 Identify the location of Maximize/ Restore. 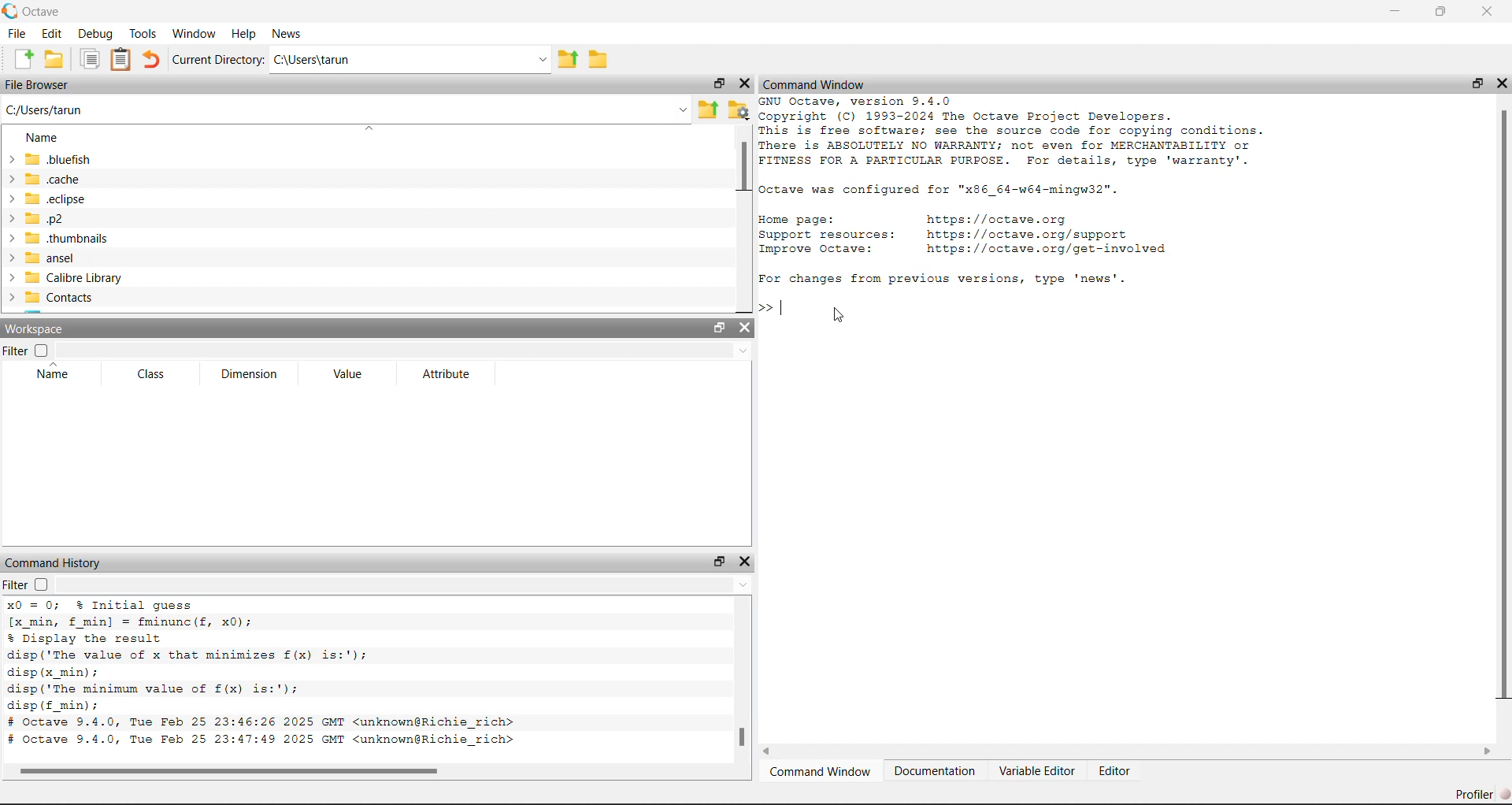
(1477, 83).